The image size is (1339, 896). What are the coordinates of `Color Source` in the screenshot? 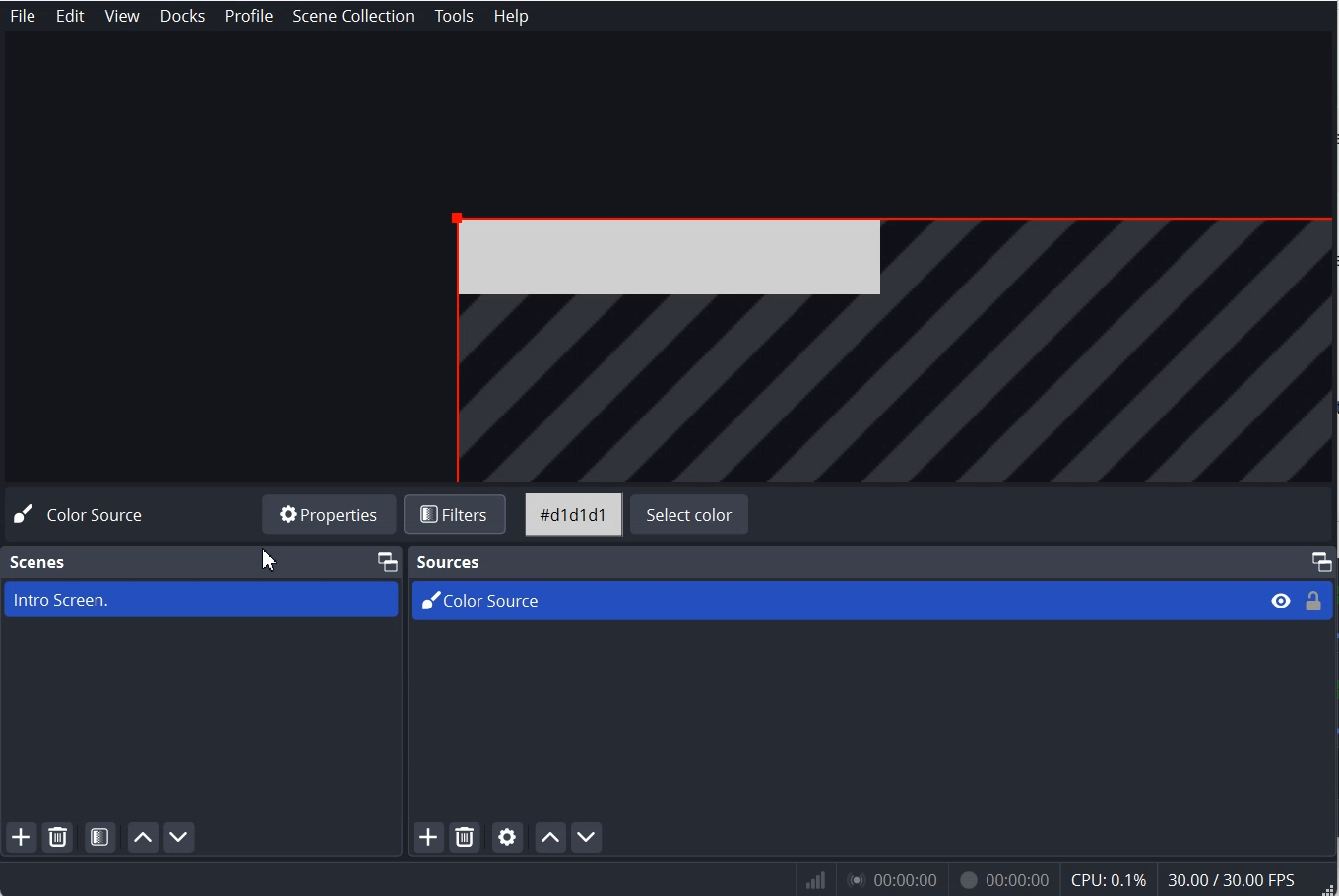 It's located at (829, 598).